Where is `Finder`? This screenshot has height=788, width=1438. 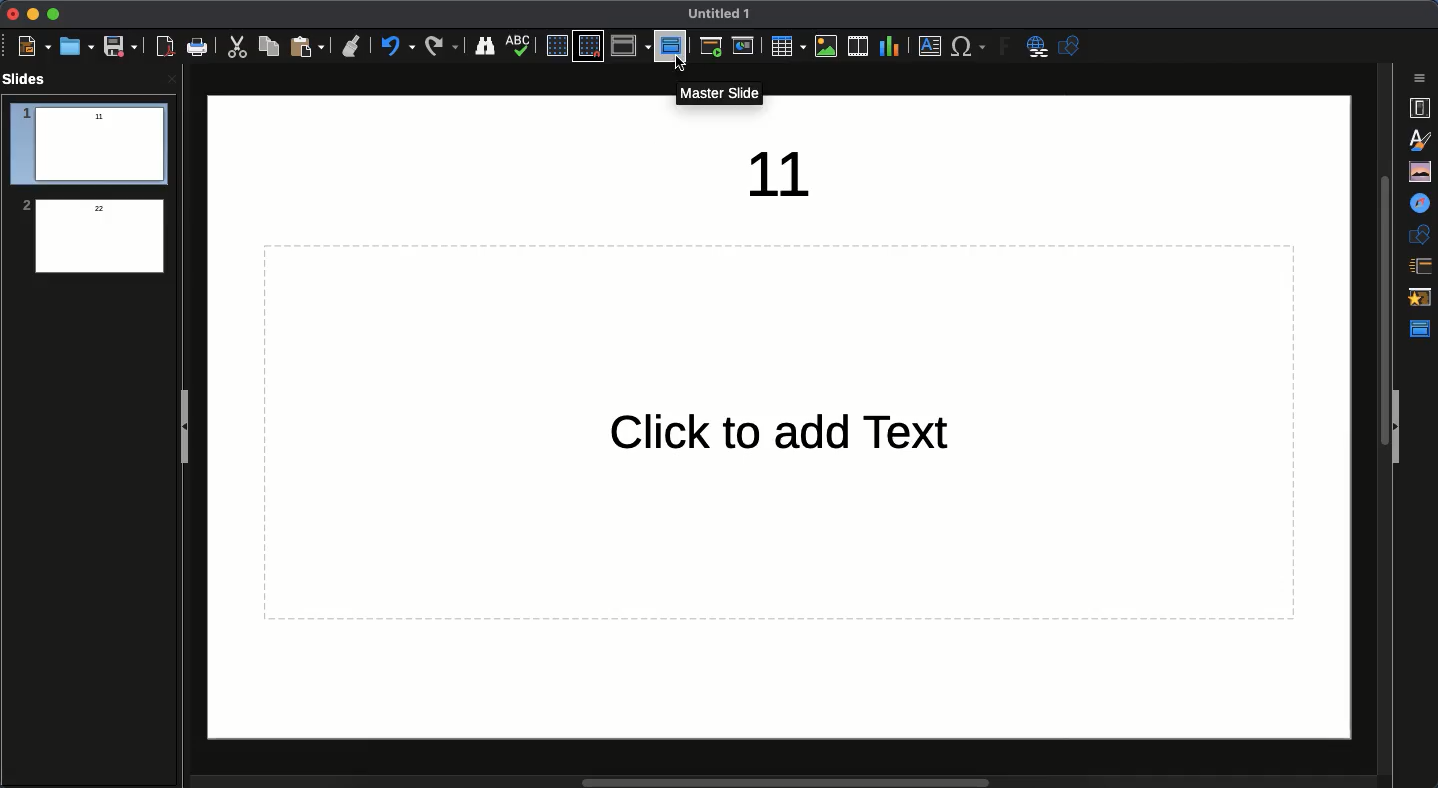 Finder is located at coordinates (485, 47).